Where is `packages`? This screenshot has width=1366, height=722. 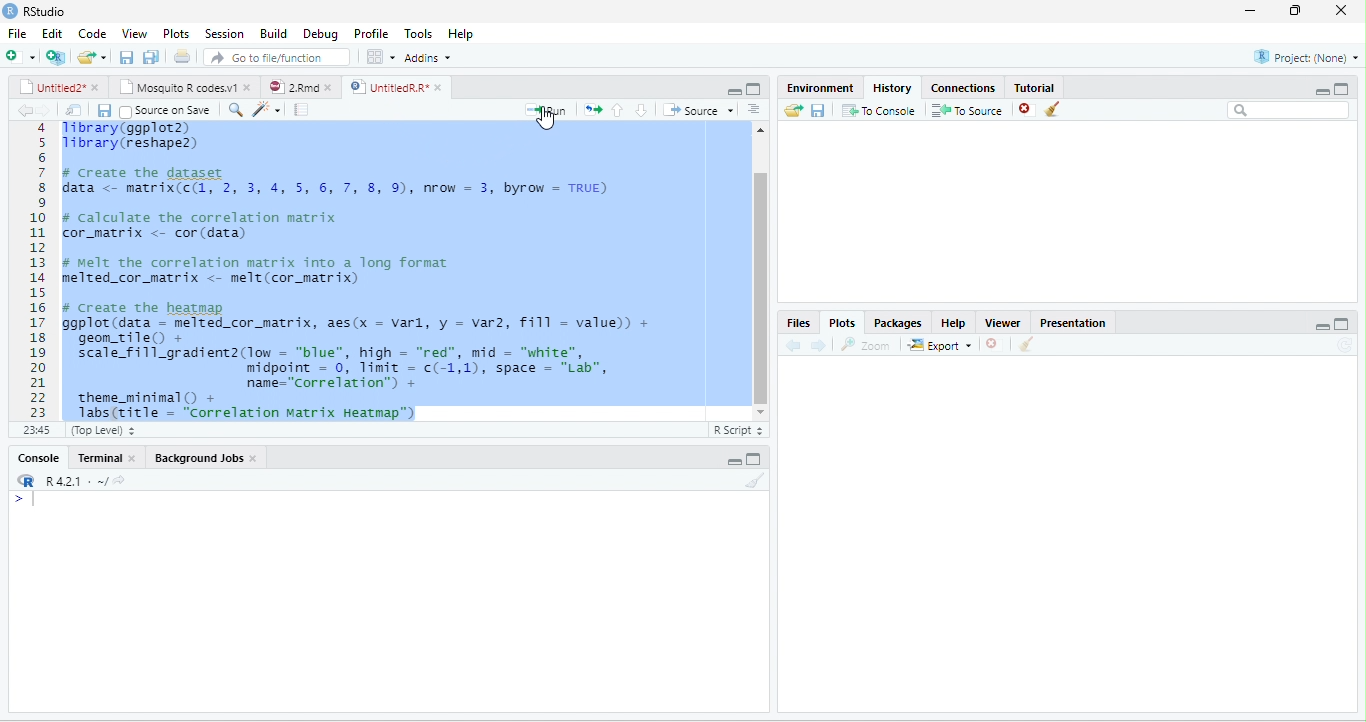 packages is located at coordinates (897, 322).